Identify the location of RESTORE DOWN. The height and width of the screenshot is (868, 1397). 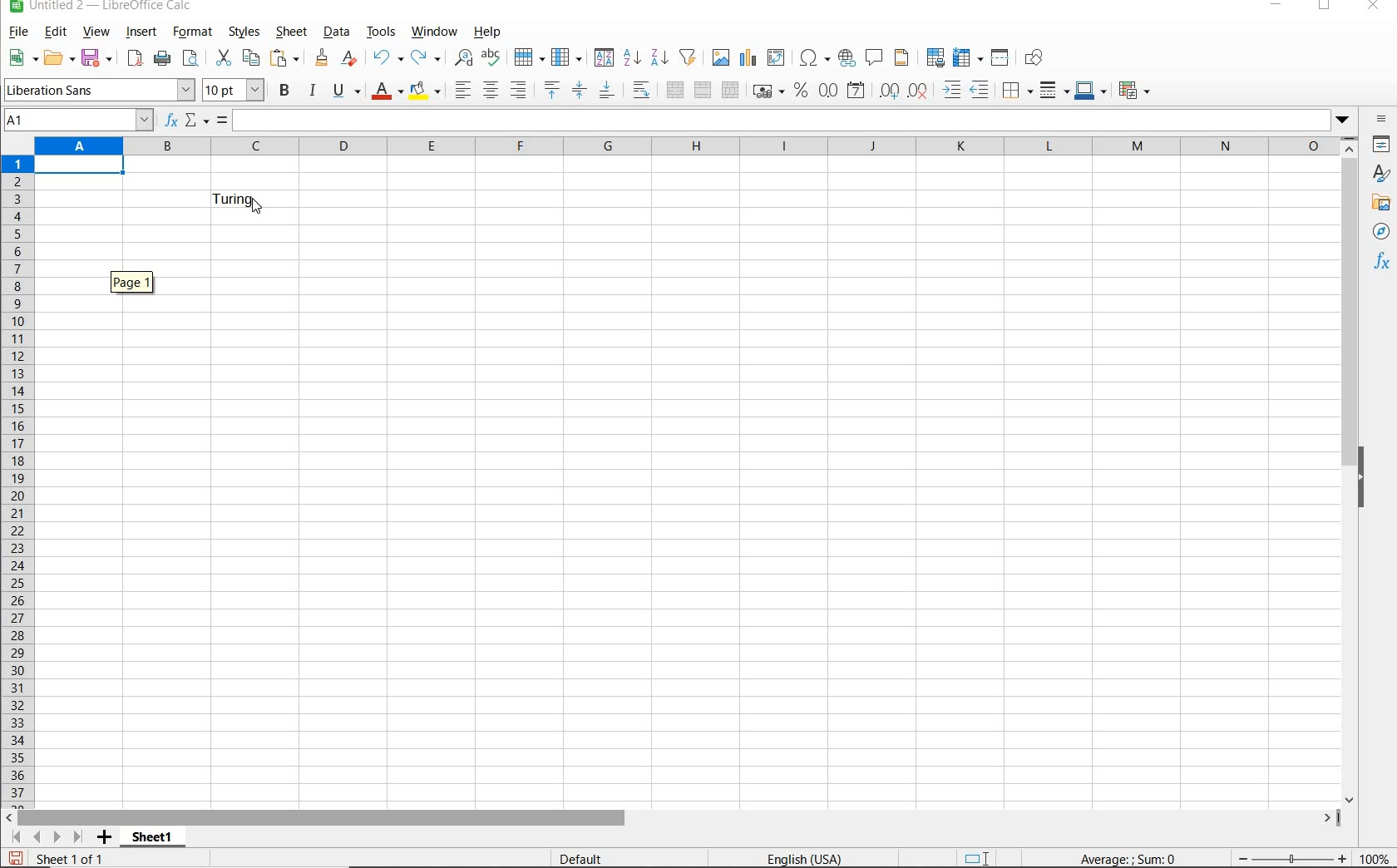
(1325, 7).